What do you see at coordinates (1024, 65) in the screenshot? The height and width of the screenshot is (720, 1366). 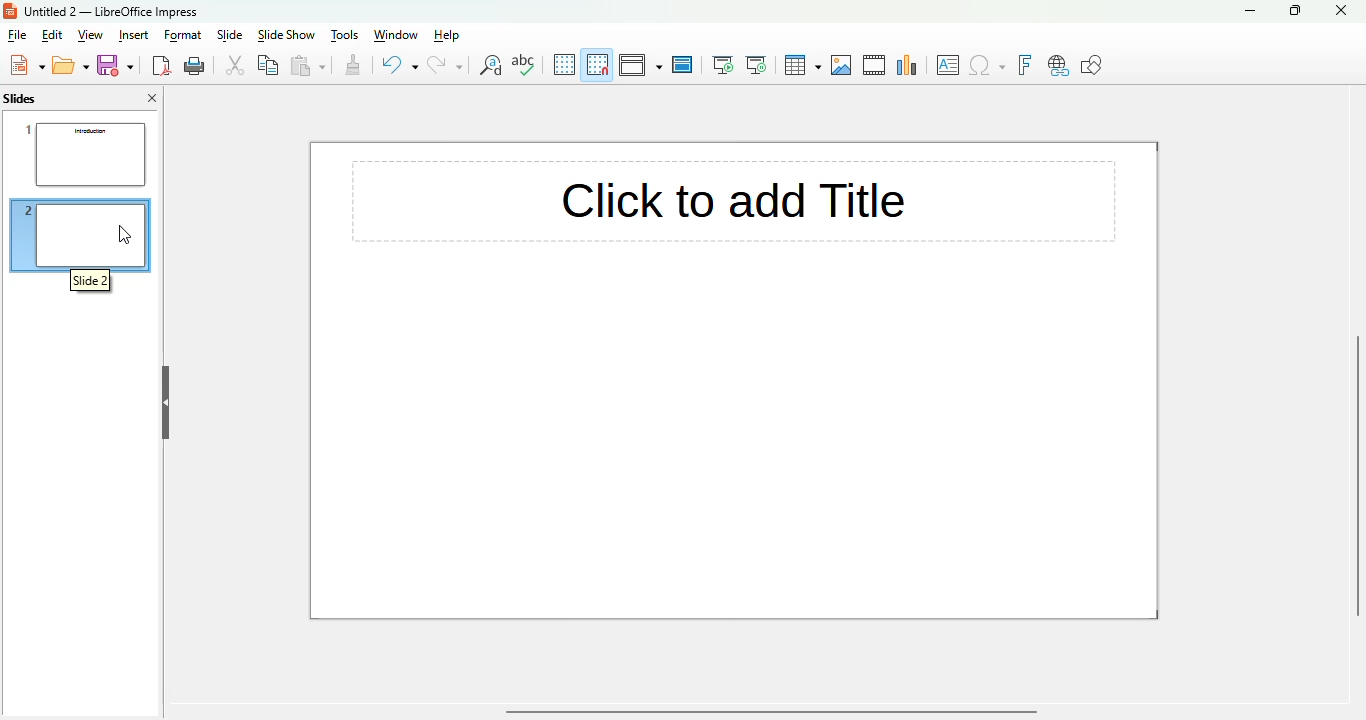 I see `insert fontwork text` at bounding box center [1024, 65].